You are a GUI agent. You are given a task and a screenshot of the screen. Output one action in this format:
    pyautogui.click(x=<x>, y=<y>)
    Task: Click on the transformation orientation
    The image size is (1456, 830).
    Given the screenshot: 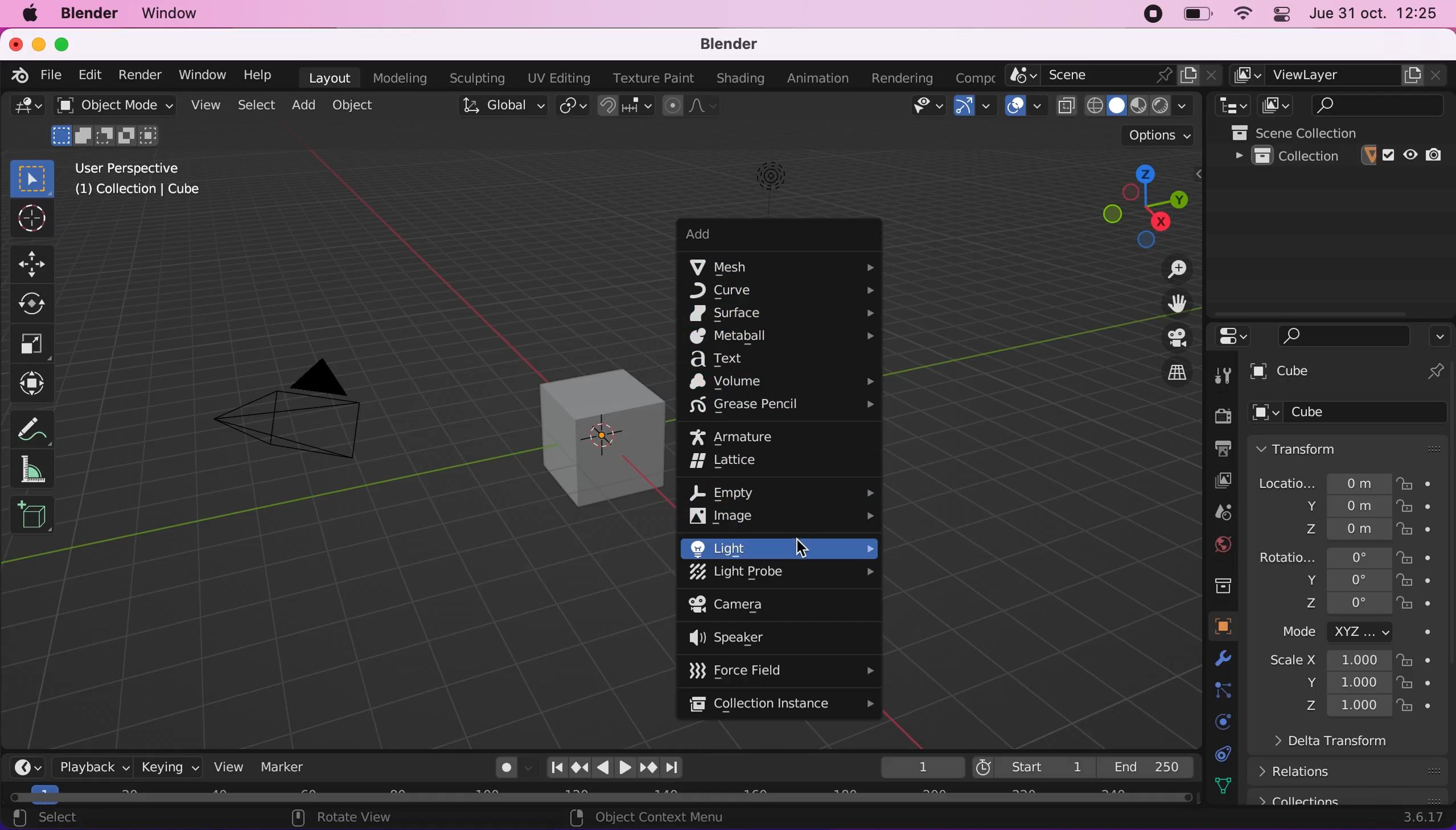 What is the action you would take?
    pyautogui.click(x=505, y=105)
    